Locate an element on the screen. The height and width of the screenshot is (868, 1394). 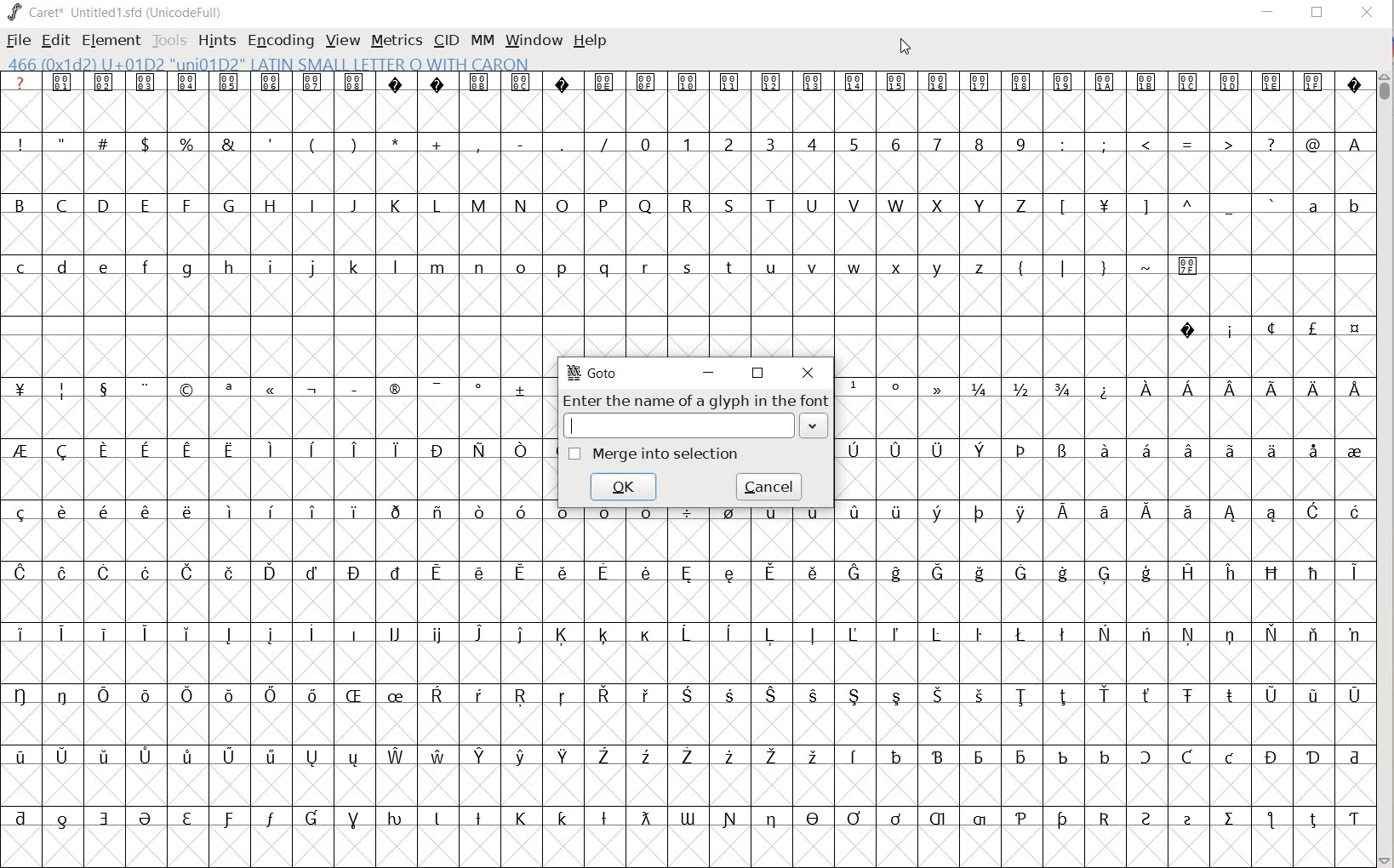
CURSOR is located at coordinates (908, 49).